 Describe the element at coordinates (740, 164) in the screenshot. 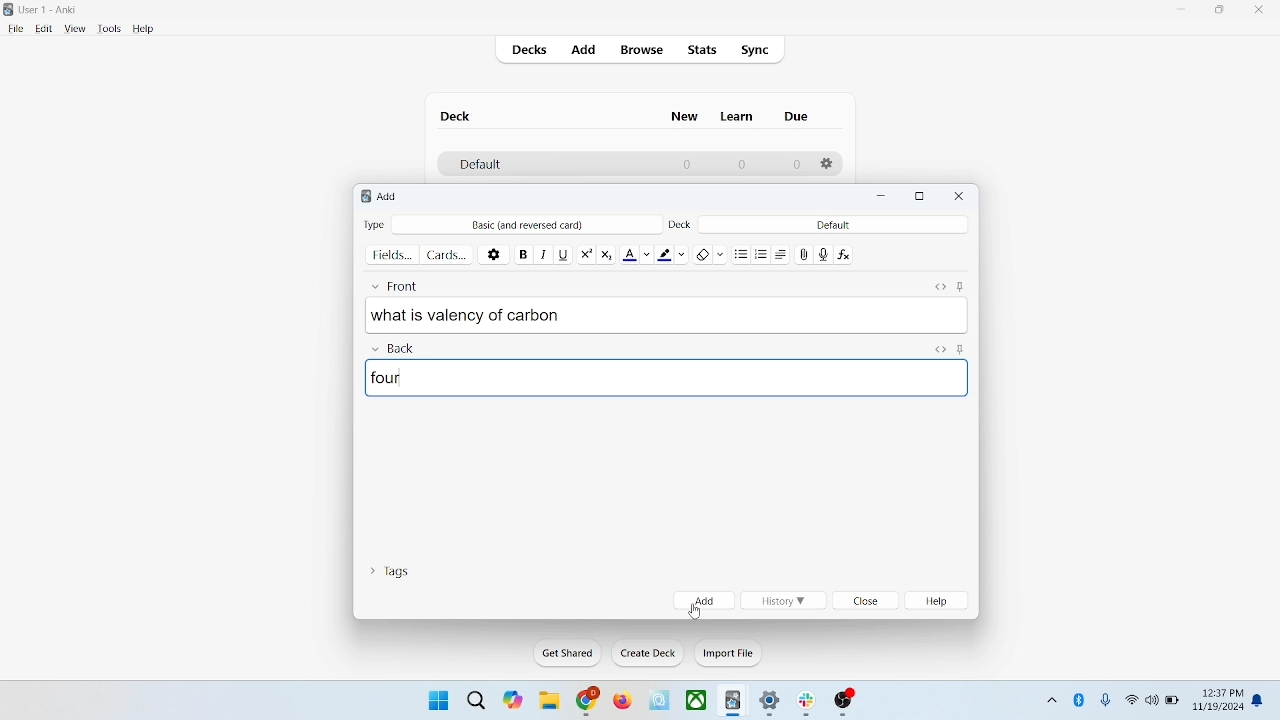

I see `0` at that location.